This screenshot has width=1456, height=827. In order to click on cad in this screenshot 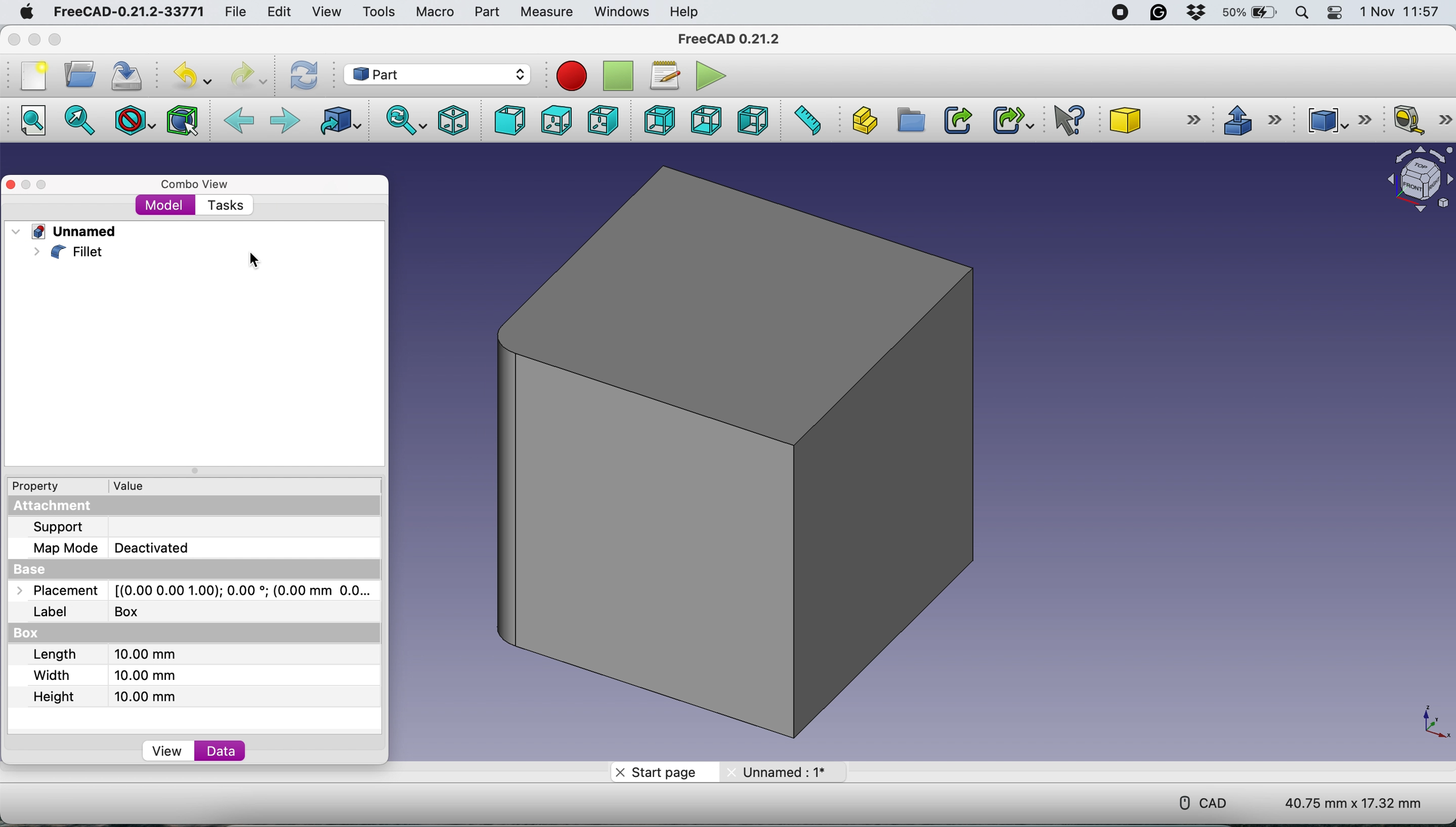, I will do `click(1195, 801)`.